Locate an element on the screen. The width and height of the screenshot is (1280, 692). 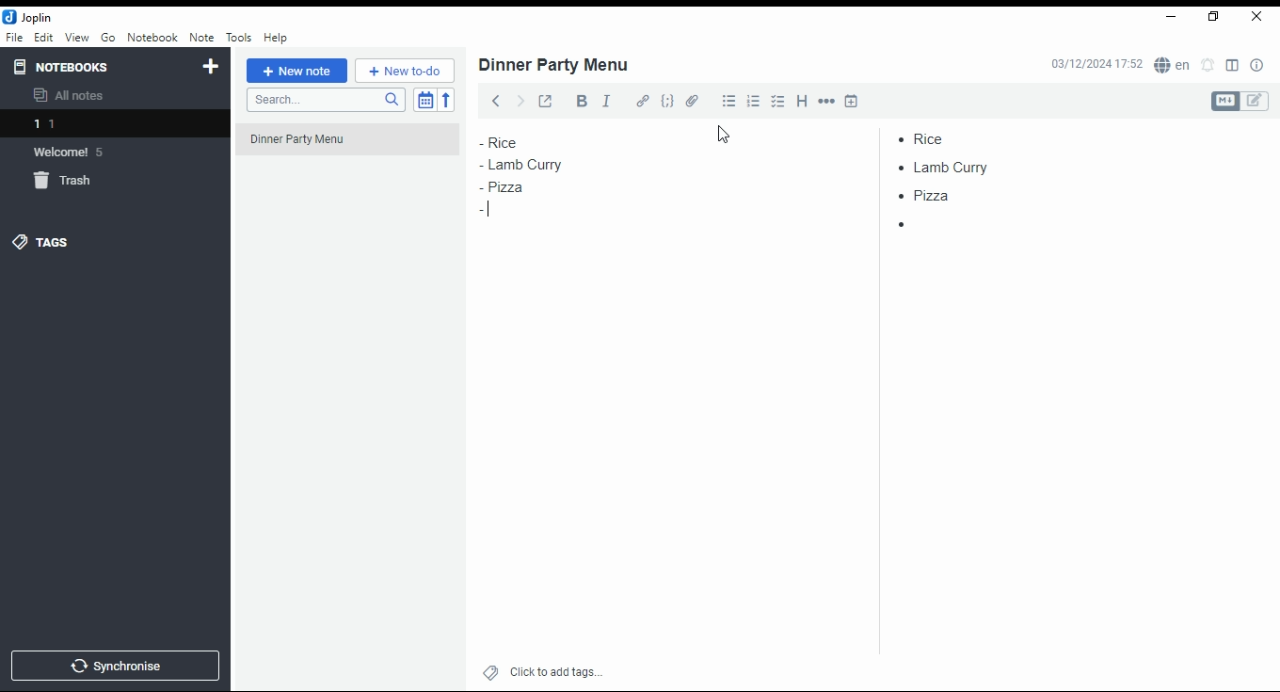
numbered list is located at coordinates (756, 101).